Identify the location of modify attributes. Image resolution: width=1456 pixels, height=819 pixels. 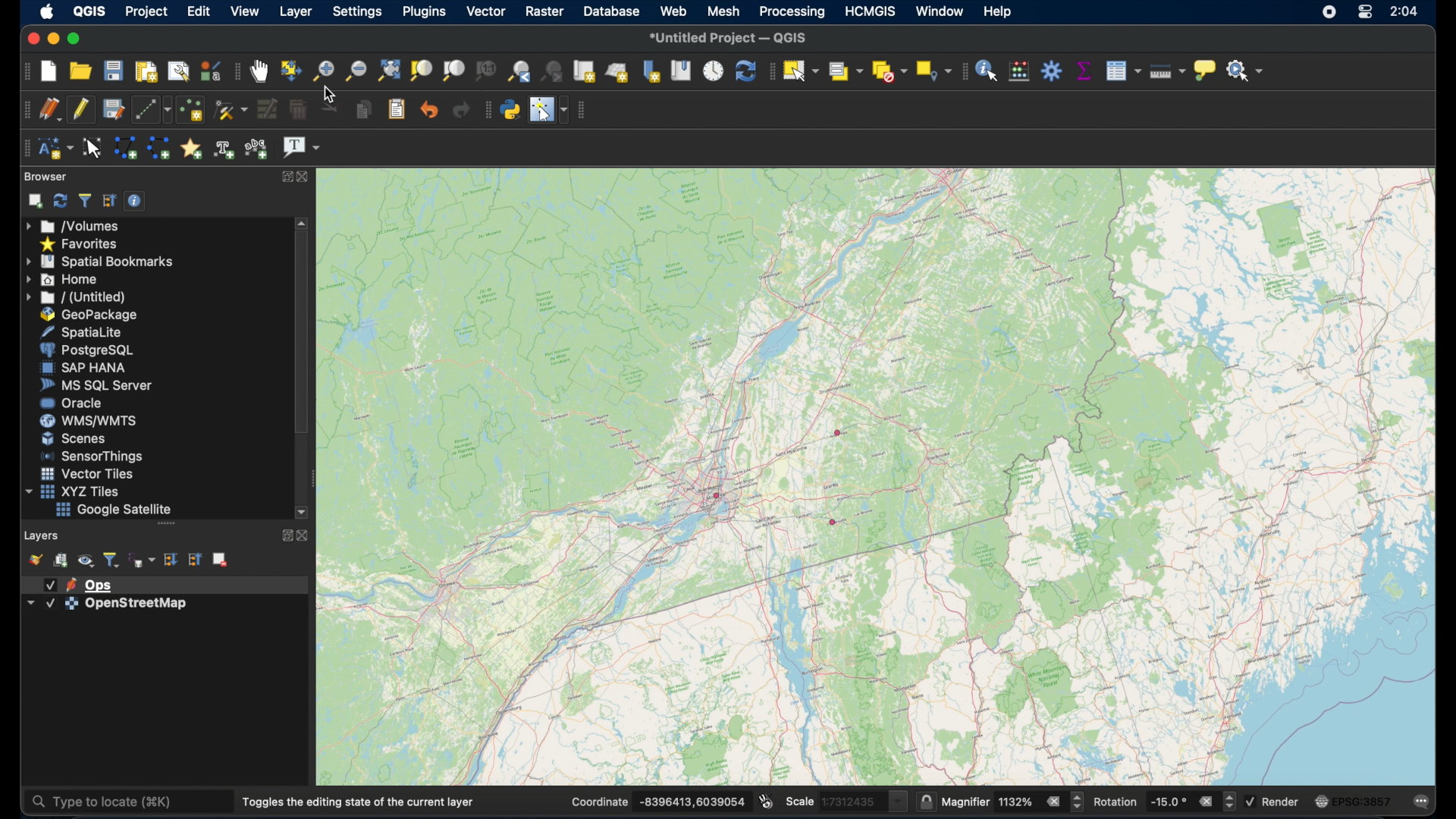
(268, 110).